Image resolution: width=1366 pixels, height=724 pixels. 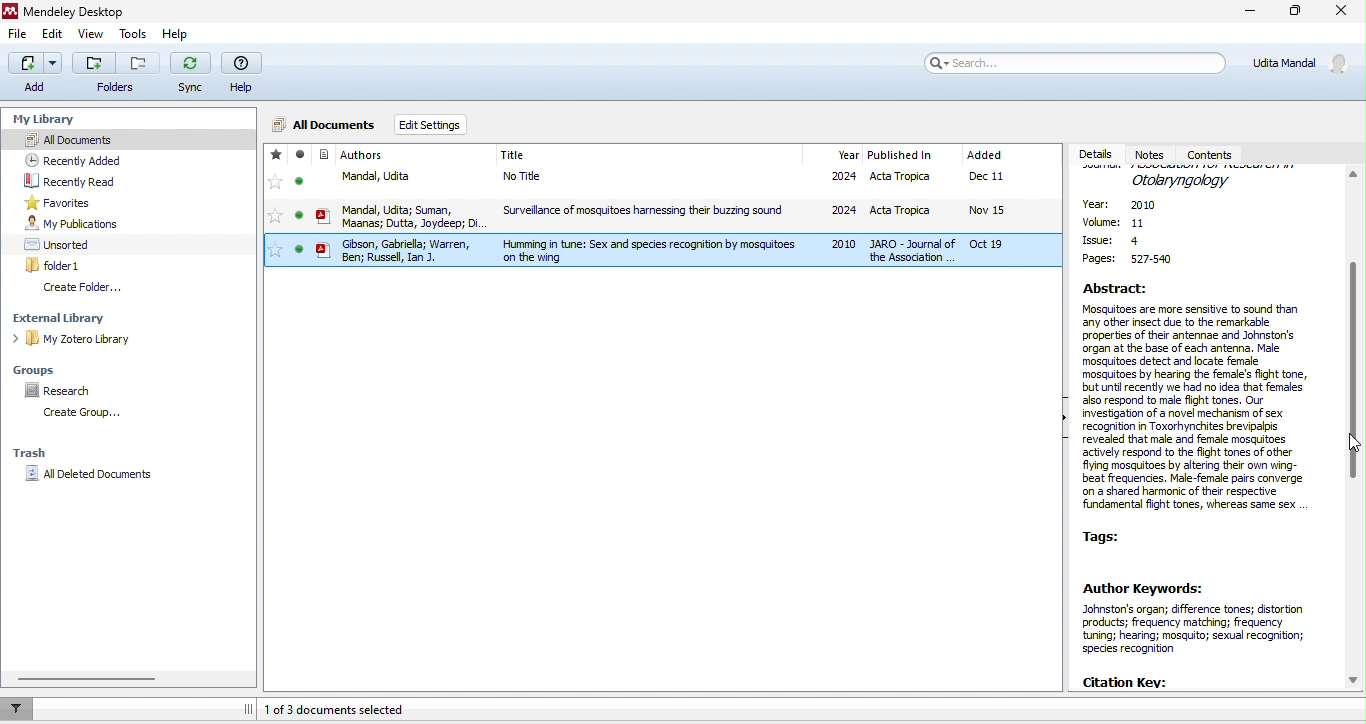 What do you see at coordinates (1097, 155) in the screenshot?
I see `details` at bounding box center [1097, 155].